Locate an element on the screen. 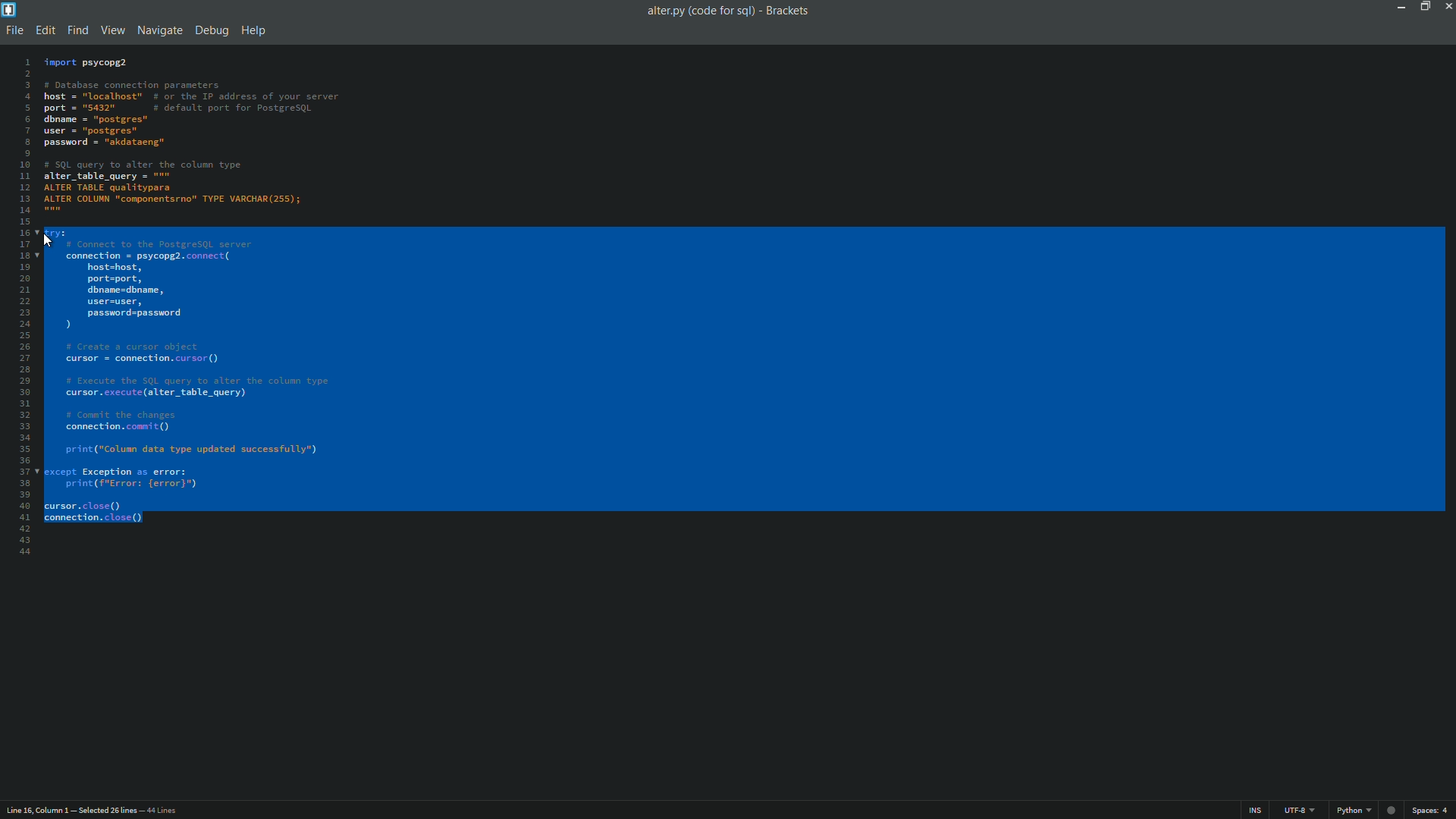 This screenshot has height=819, width=1456. edit menu is located at coordinates (44, 30).